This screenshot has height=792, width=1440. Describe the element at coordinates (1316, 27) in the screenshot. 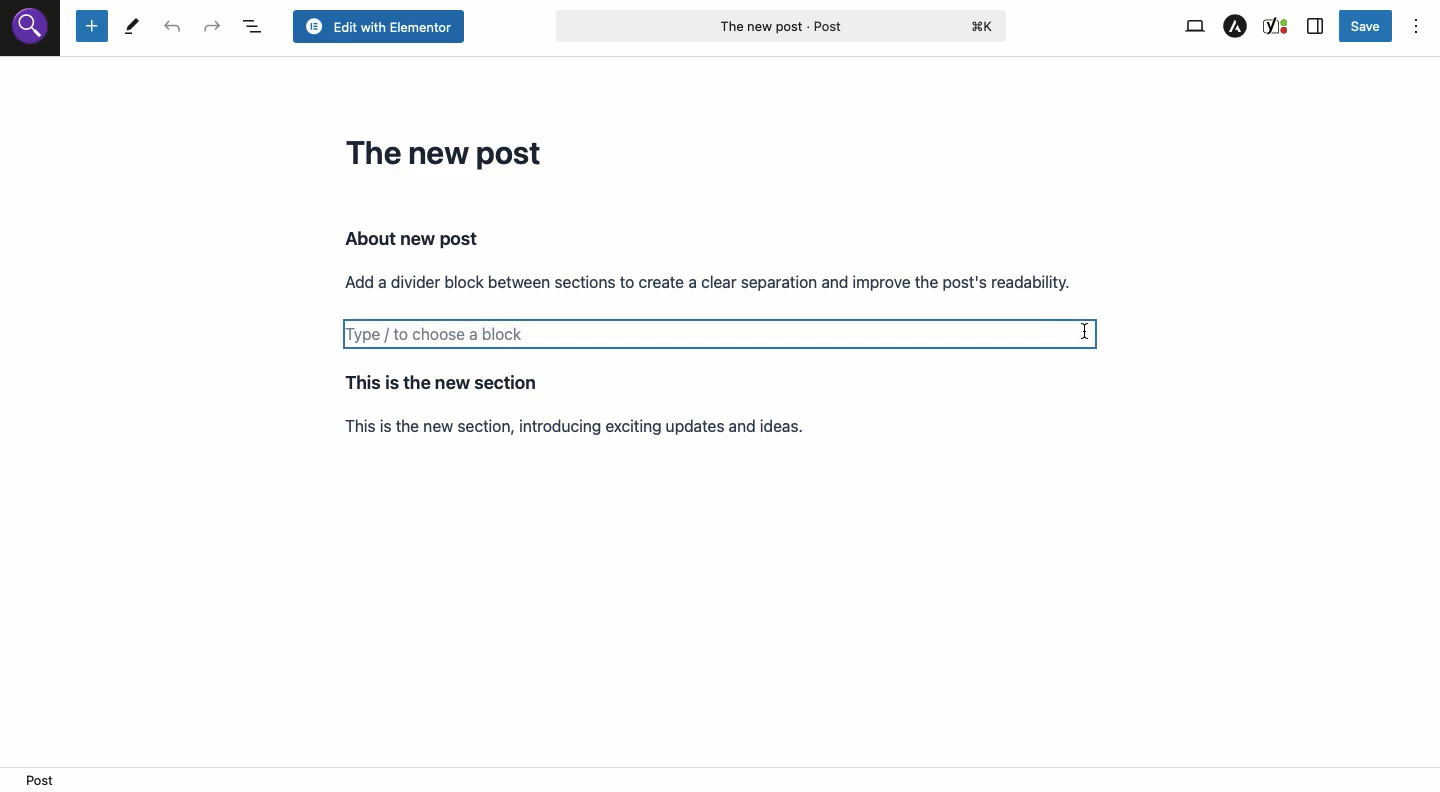

I see `Sidebar` at that location.